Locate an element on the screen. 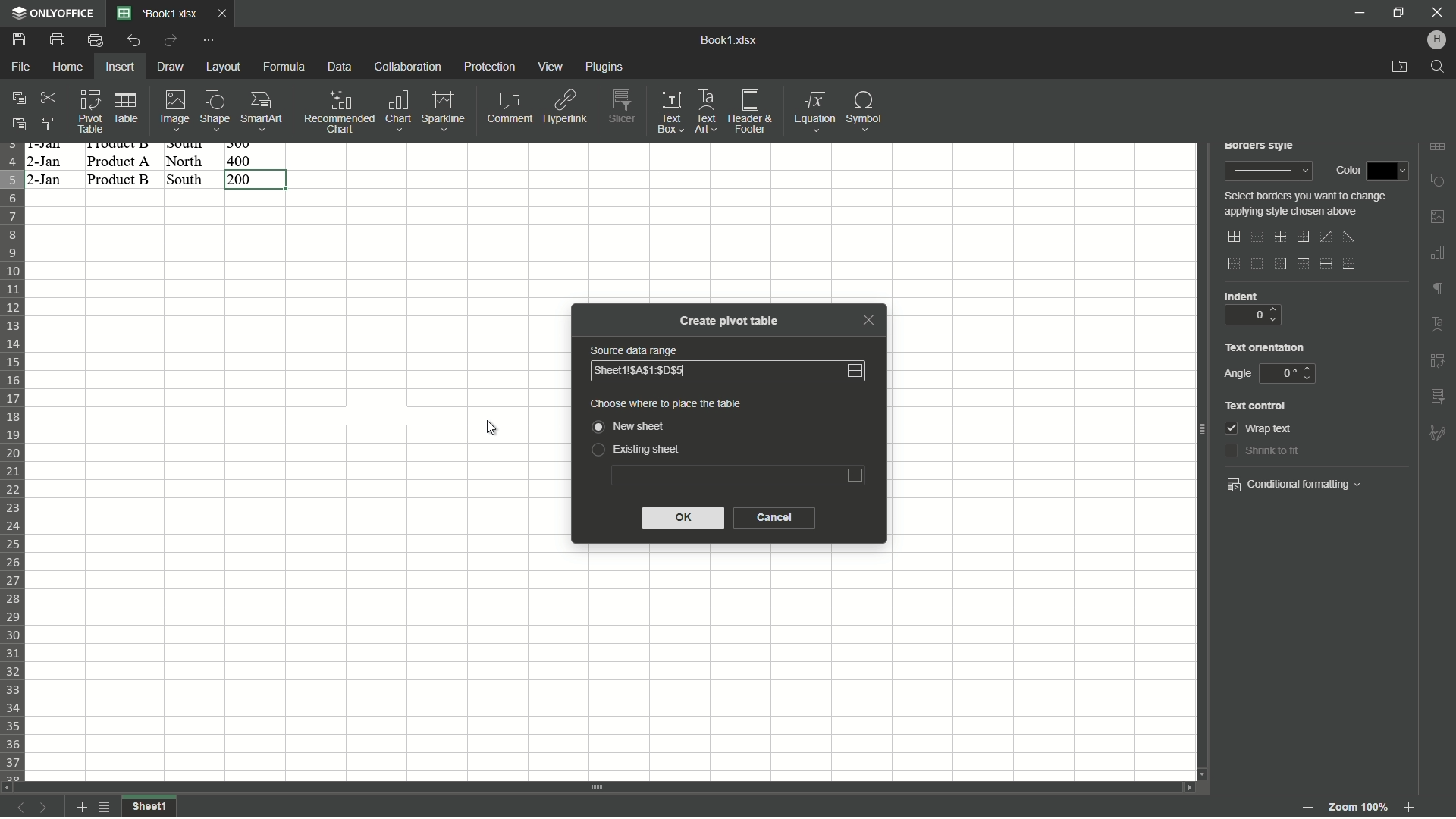 This screenshot has height=819, width=1456. conditional formatting is located at coordinates (1287, 485).